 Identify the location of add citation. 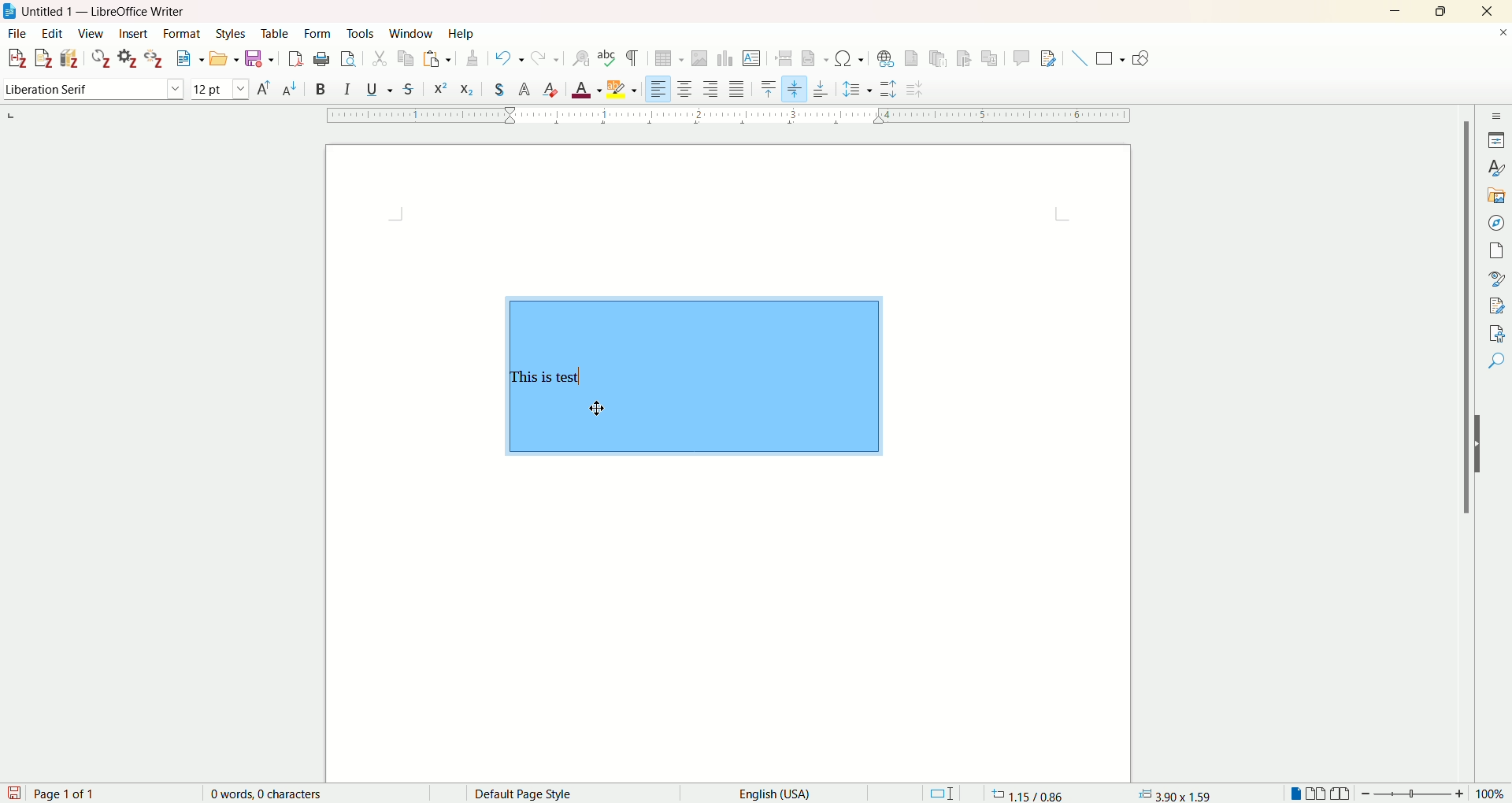
(15, 59).